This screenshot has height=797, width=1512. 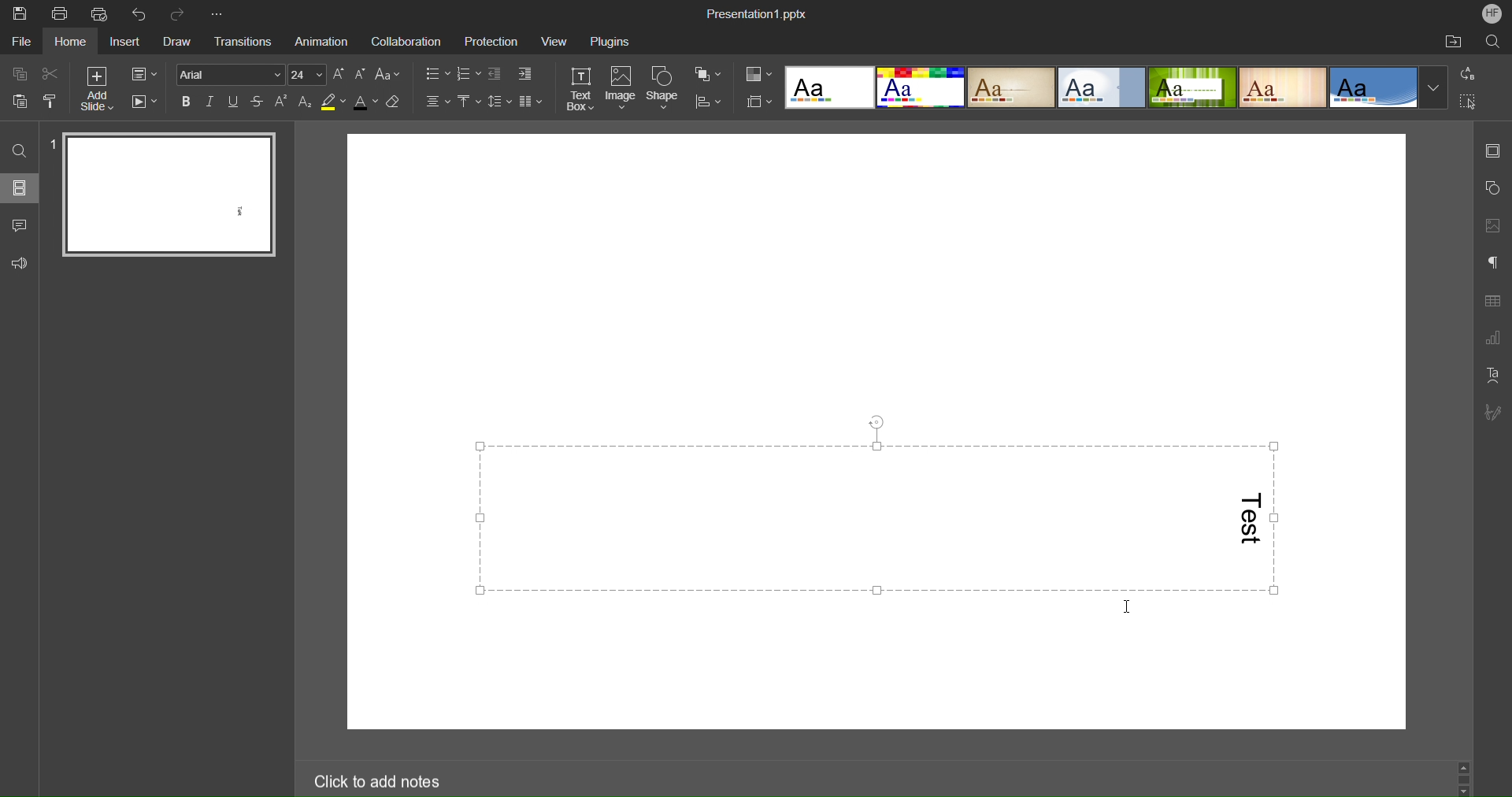 I want to click on Numbered List, so click(x=468, y=74).